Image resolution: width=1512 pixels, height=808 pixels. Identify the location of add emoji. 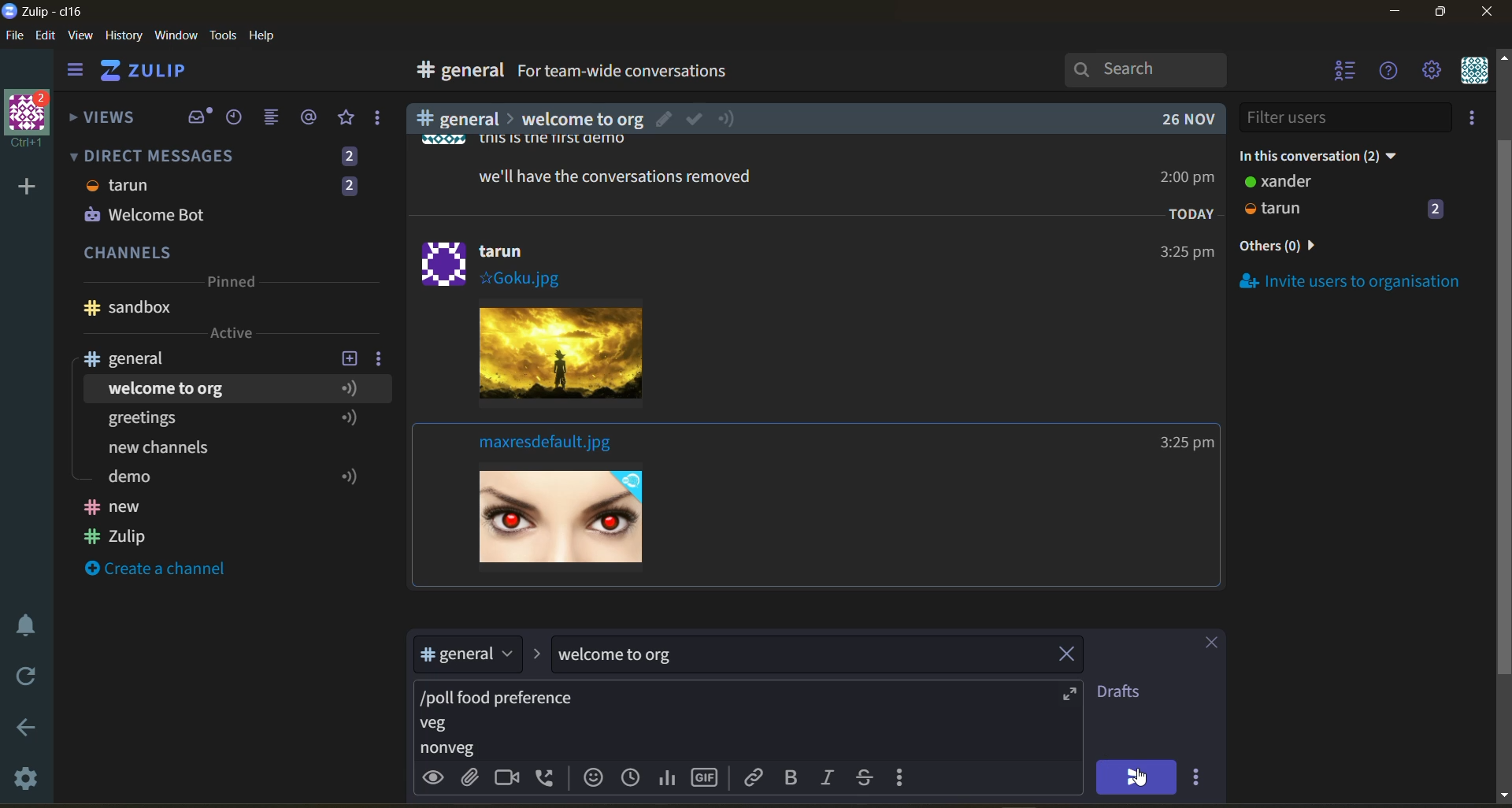
(591, 776).